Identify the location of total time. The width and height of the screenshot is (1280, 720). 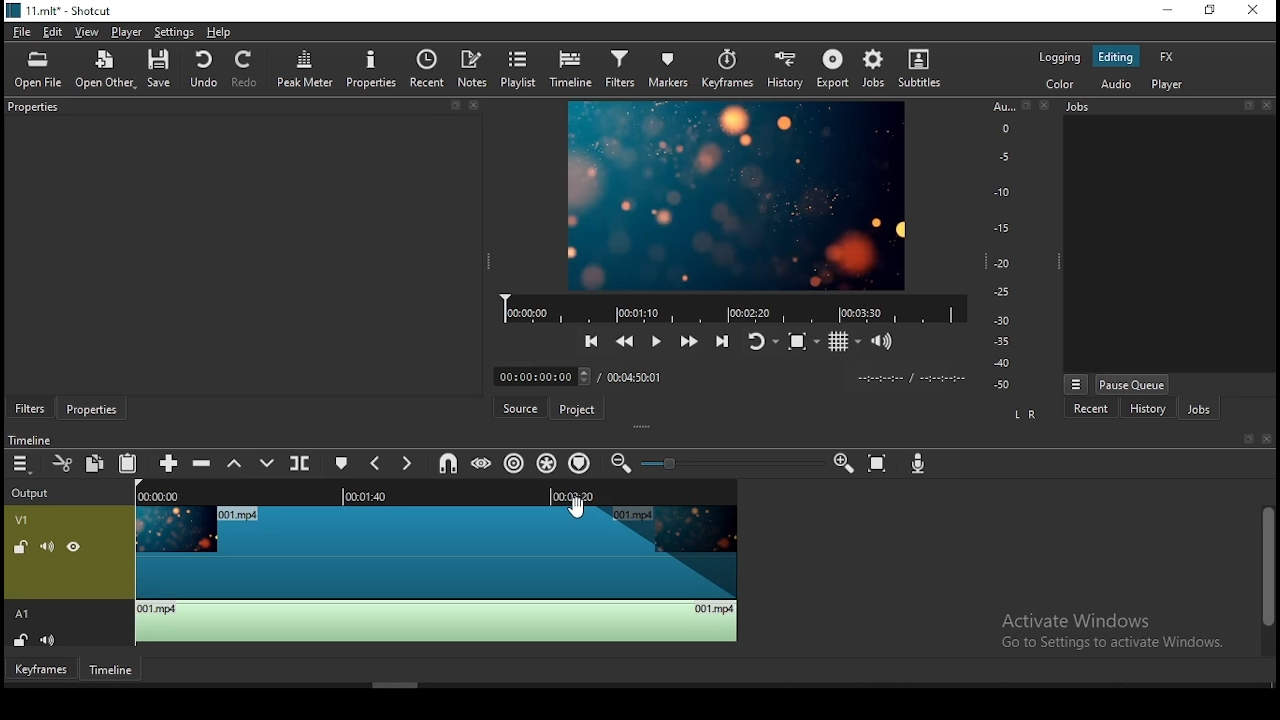
(639, 376).